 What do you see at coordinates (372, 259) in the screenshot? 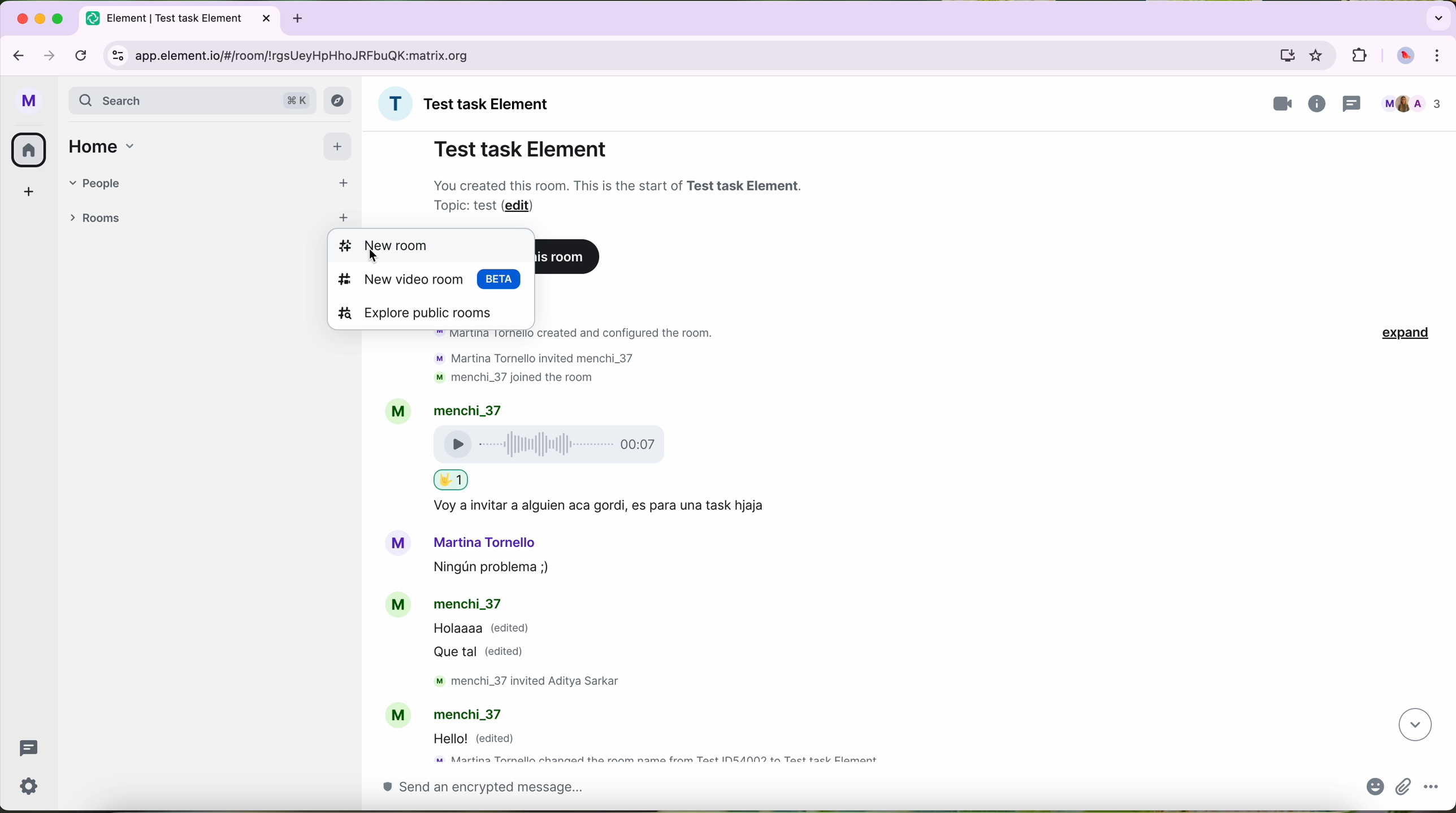
I see `cursor` at bounding box center [372, 259].